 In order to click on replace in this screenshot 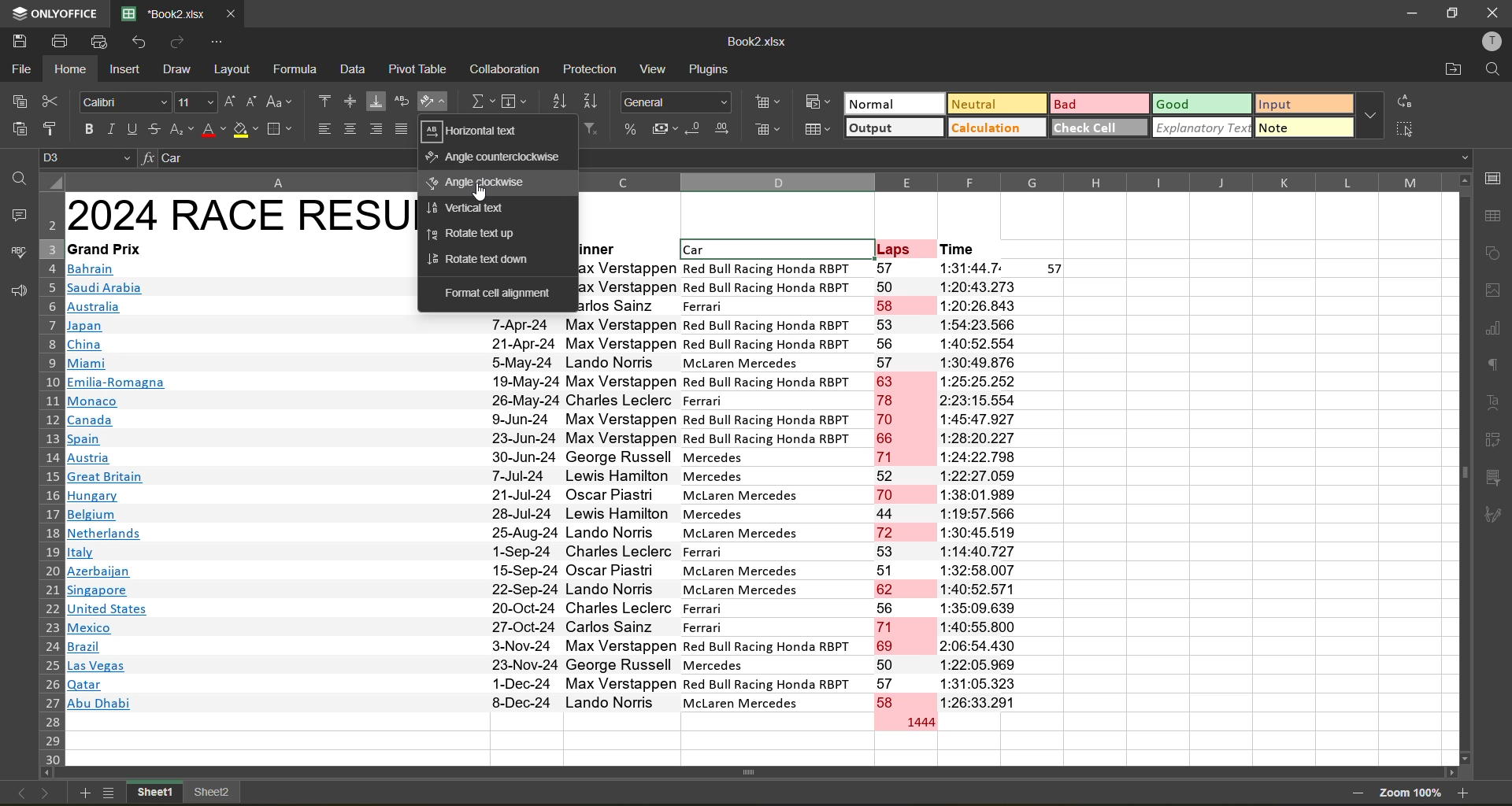, I will do `click(1403, 102)`.